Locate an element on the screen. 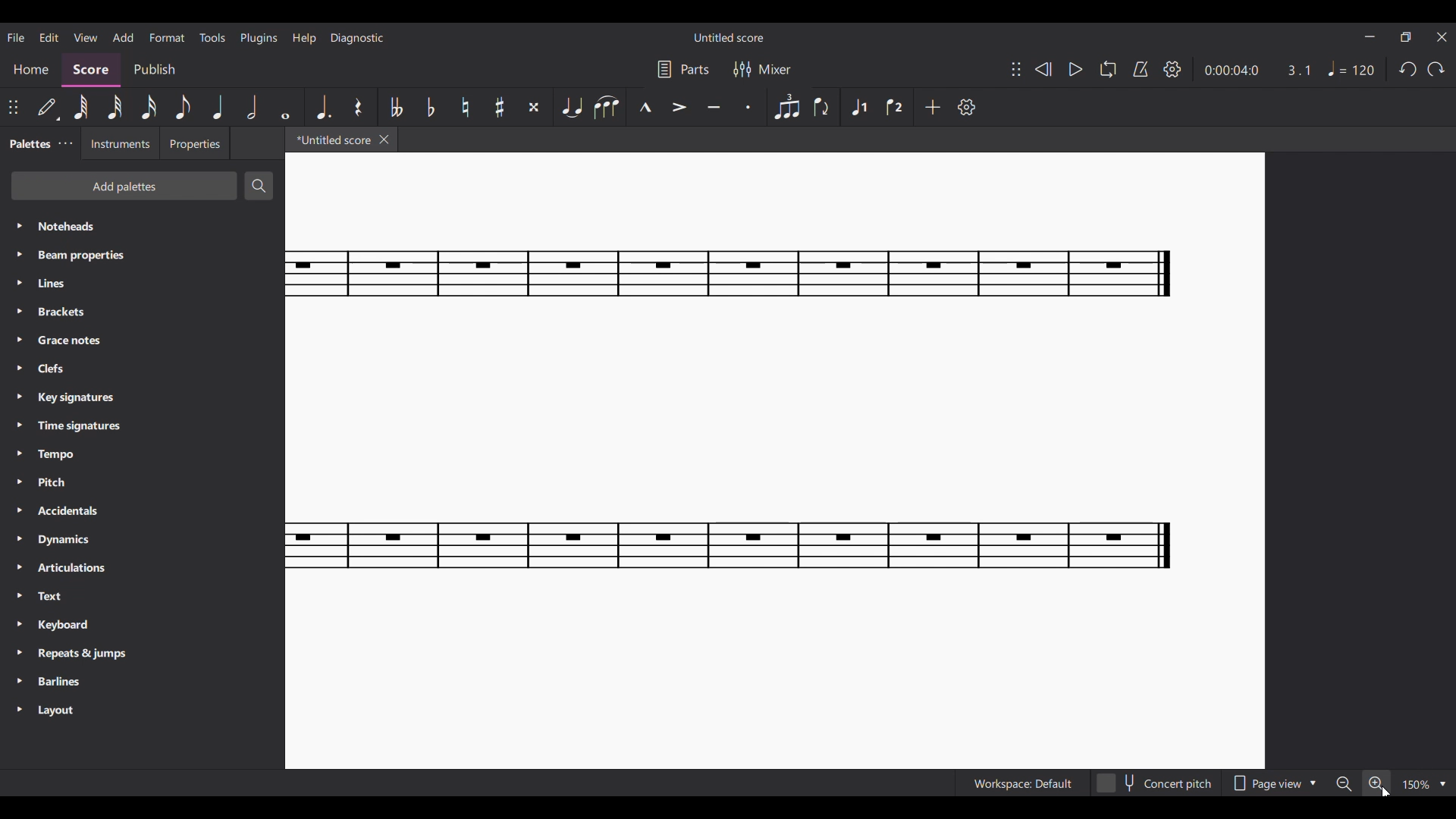 Image resolution: width=1456 pixels, height=819 pixels. 8th note is located at coordinates (183, 107).